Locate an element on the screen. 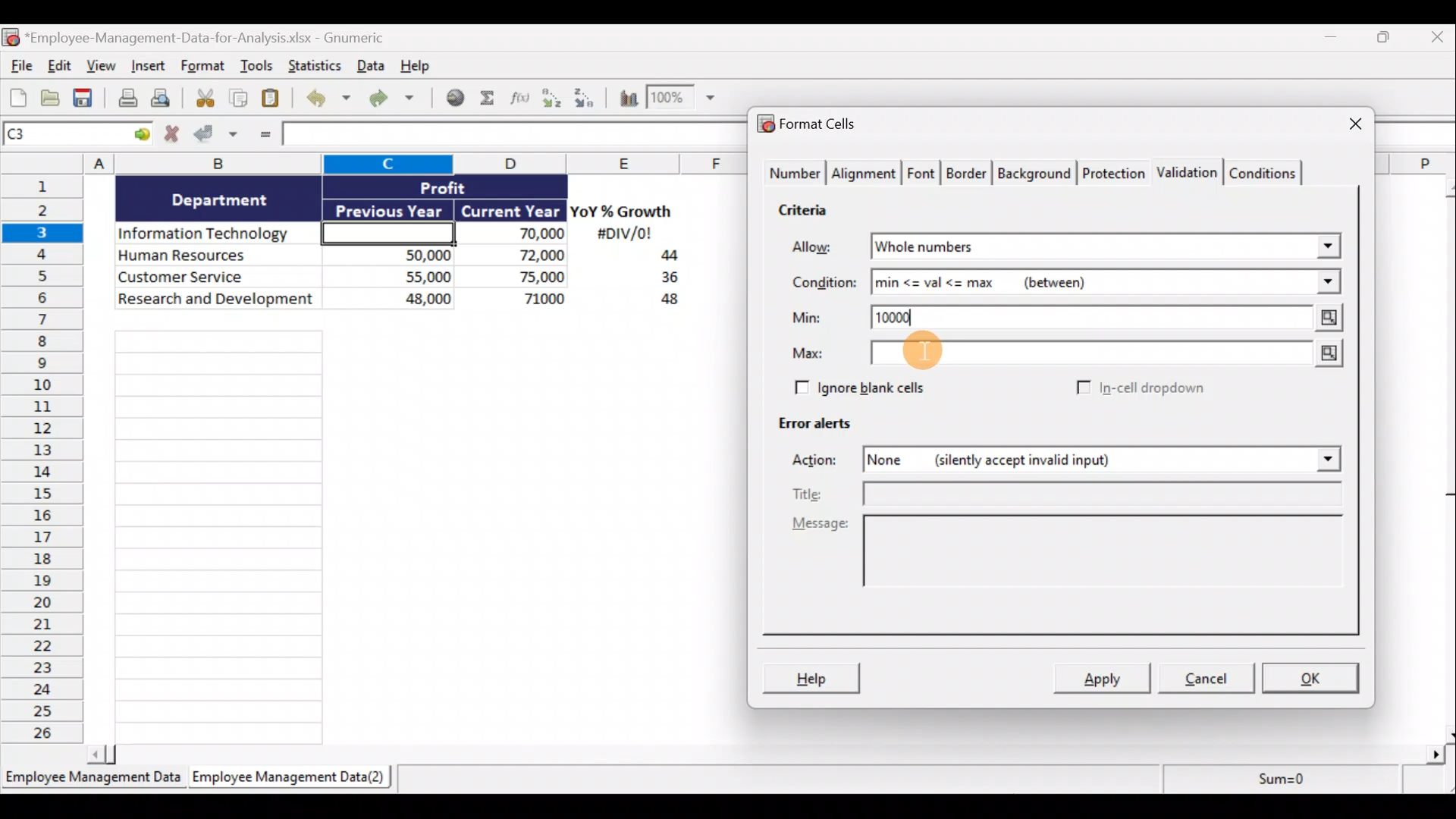 Image resolution: width=1456 pixels, height=819 pixels. Cancel is located at coordinates (1212, 680).